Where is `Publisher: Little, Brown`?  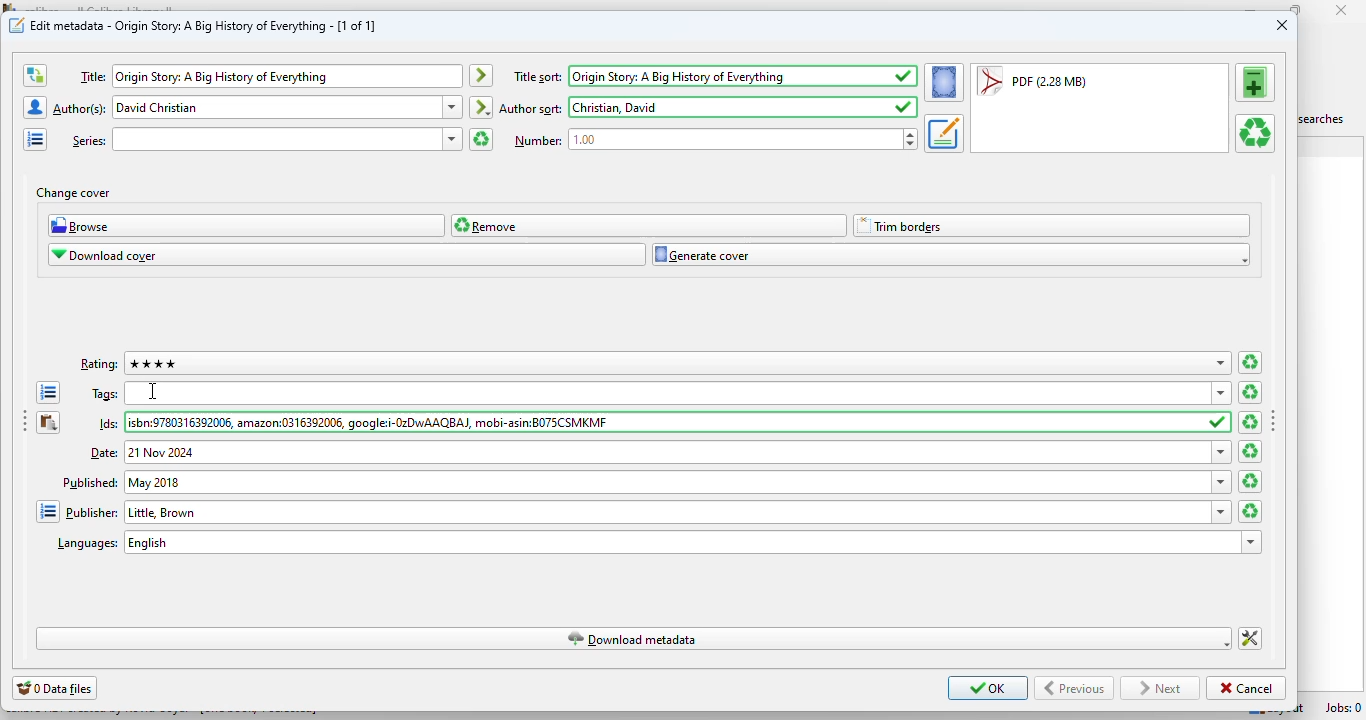 Publisher: Little, Brown is located at coordinates (667, 512).